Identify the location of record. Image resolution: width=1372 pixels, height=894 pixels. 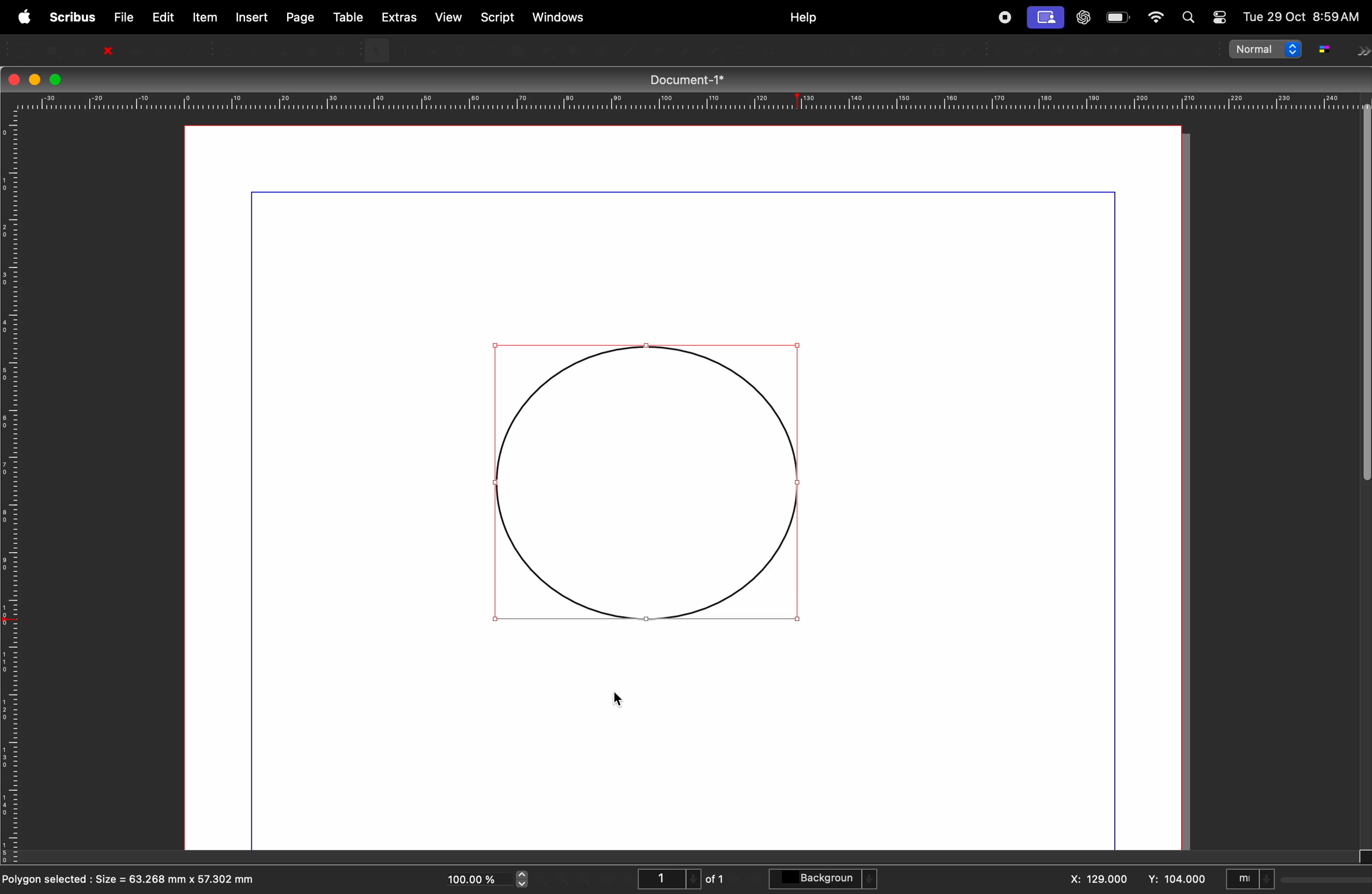
(1004, 17).